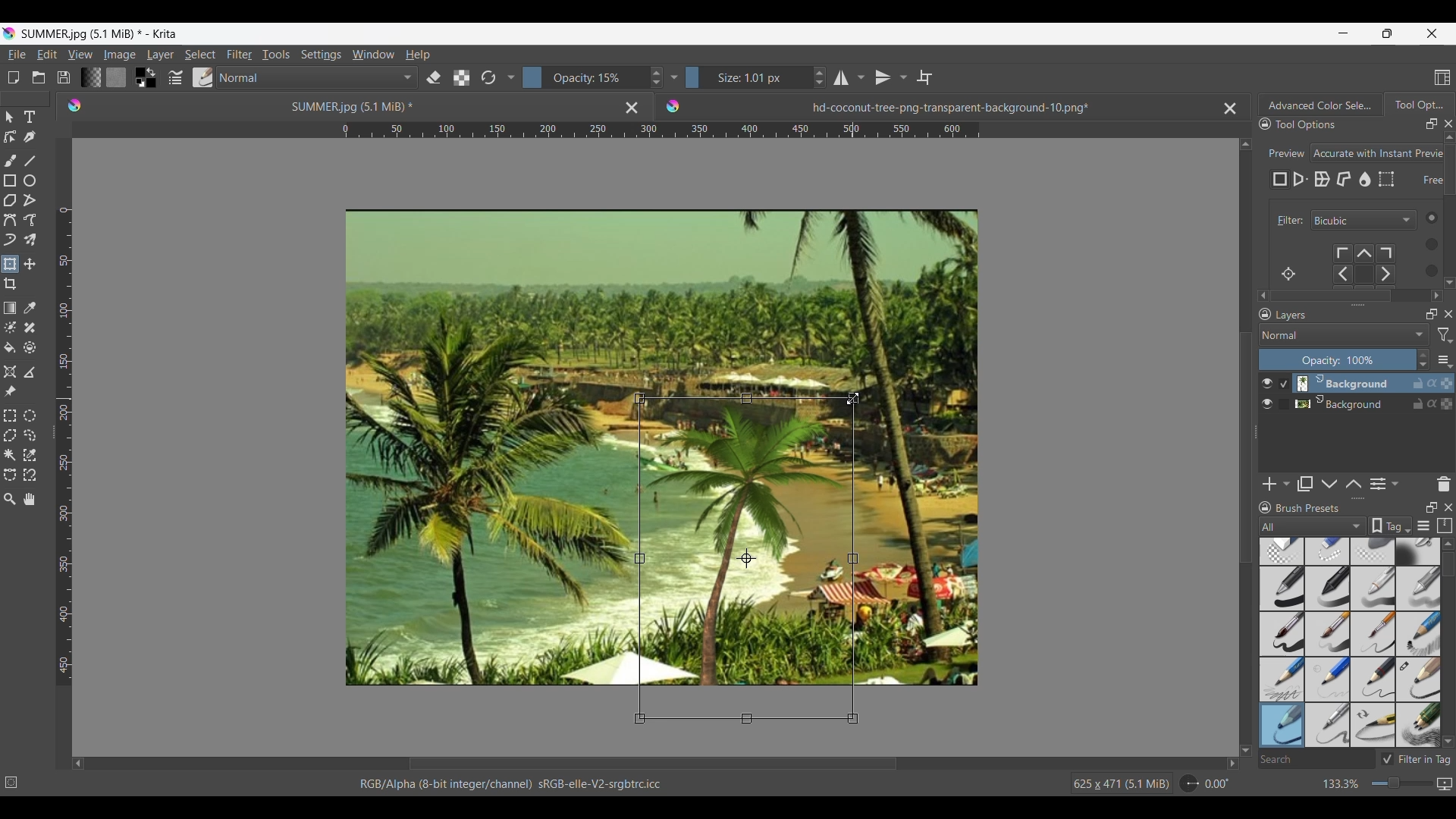  Describe the element at coordinates (29, 136) in the screenshot. I see `Calligraphy` at that location.